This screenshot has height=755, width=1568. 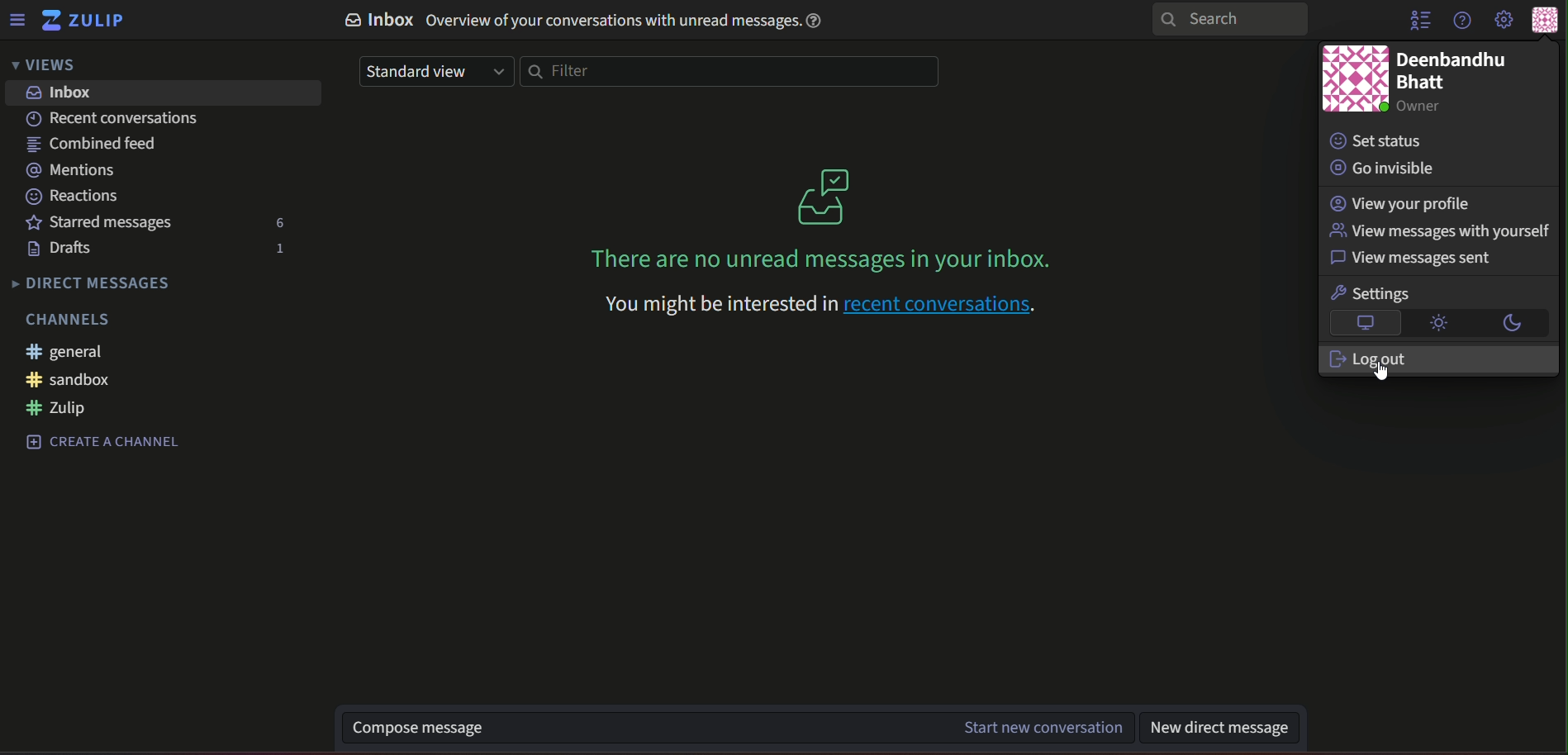 What do you see at coordinates (1520, 322) in the screenshot?
I see `darkmode` at bounding box center [1520, 322].